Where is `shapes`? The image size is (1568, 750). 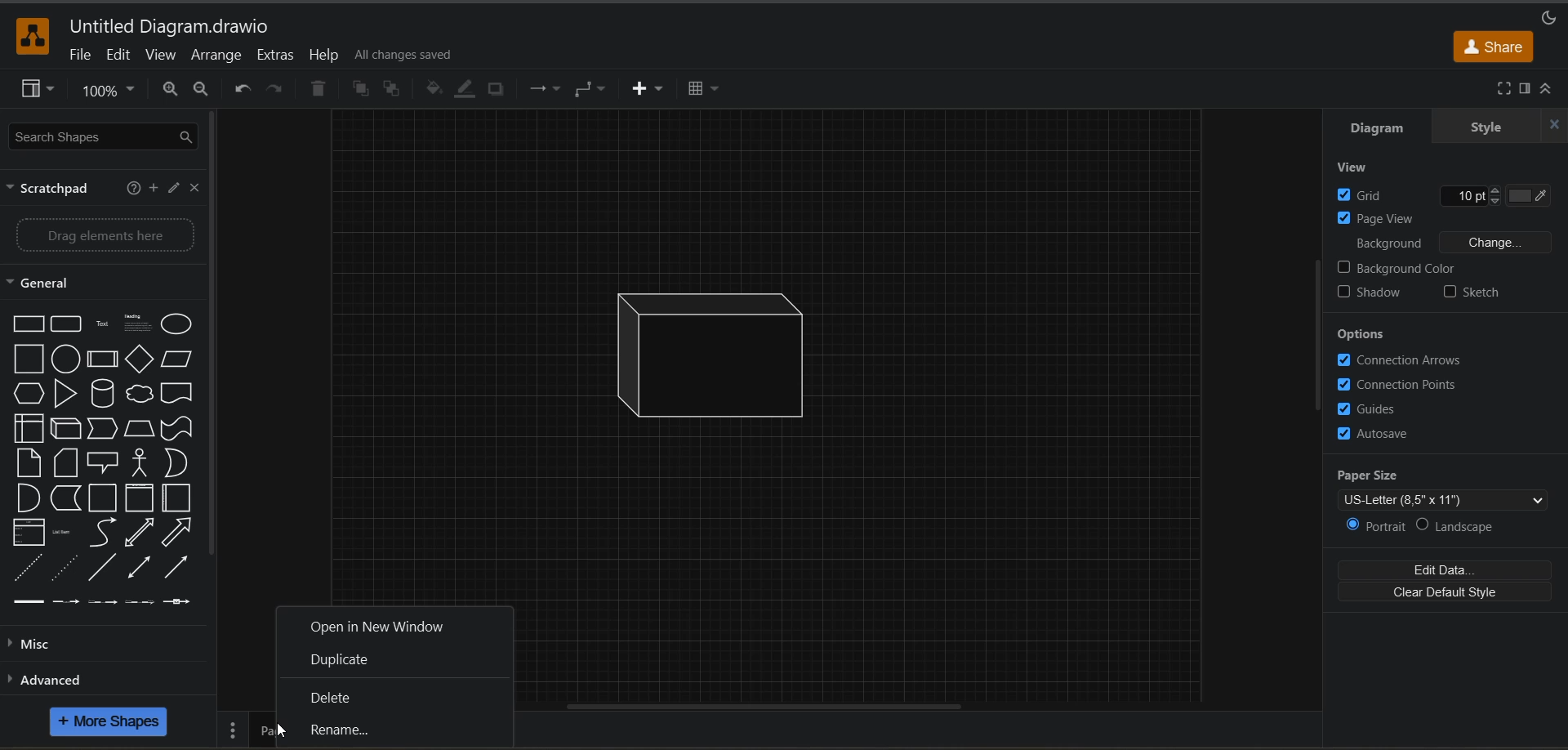 shapes is located at coordinates (101, 459).